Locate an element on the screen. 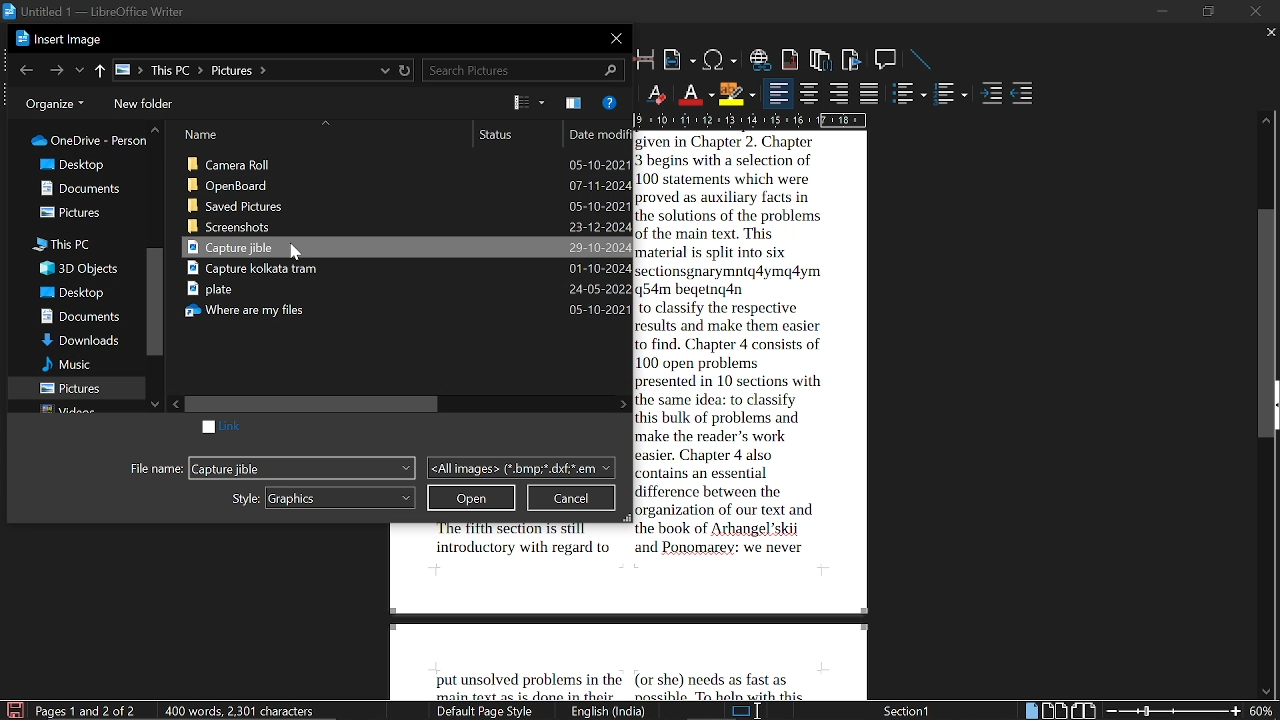 The height and width of the screenshot is (720, 1280). toggle unordered list is located at coordinates (911, 94).